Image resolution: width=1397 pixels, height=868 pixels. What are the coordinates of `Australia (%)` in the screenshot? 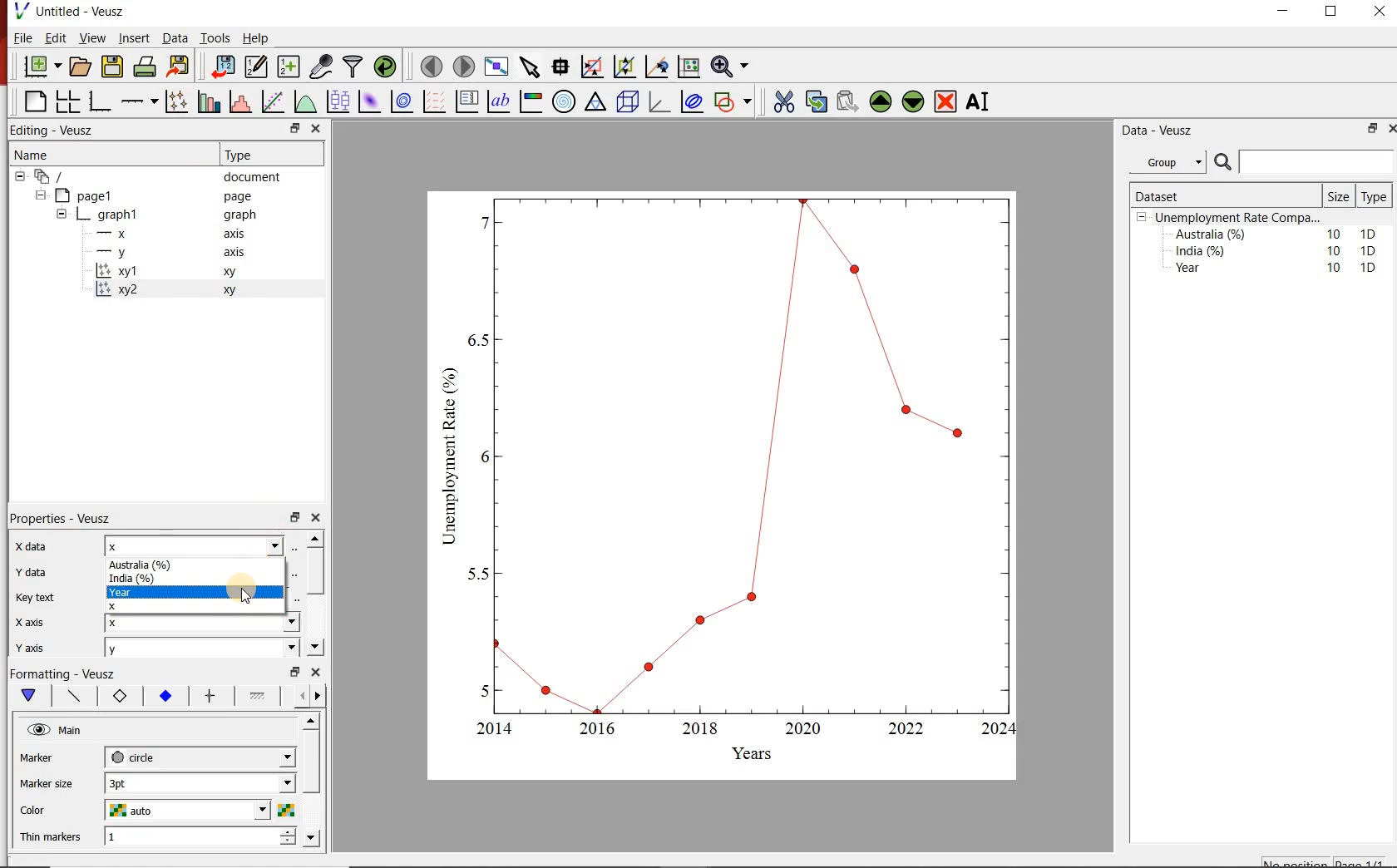 It's located at (205, 565).